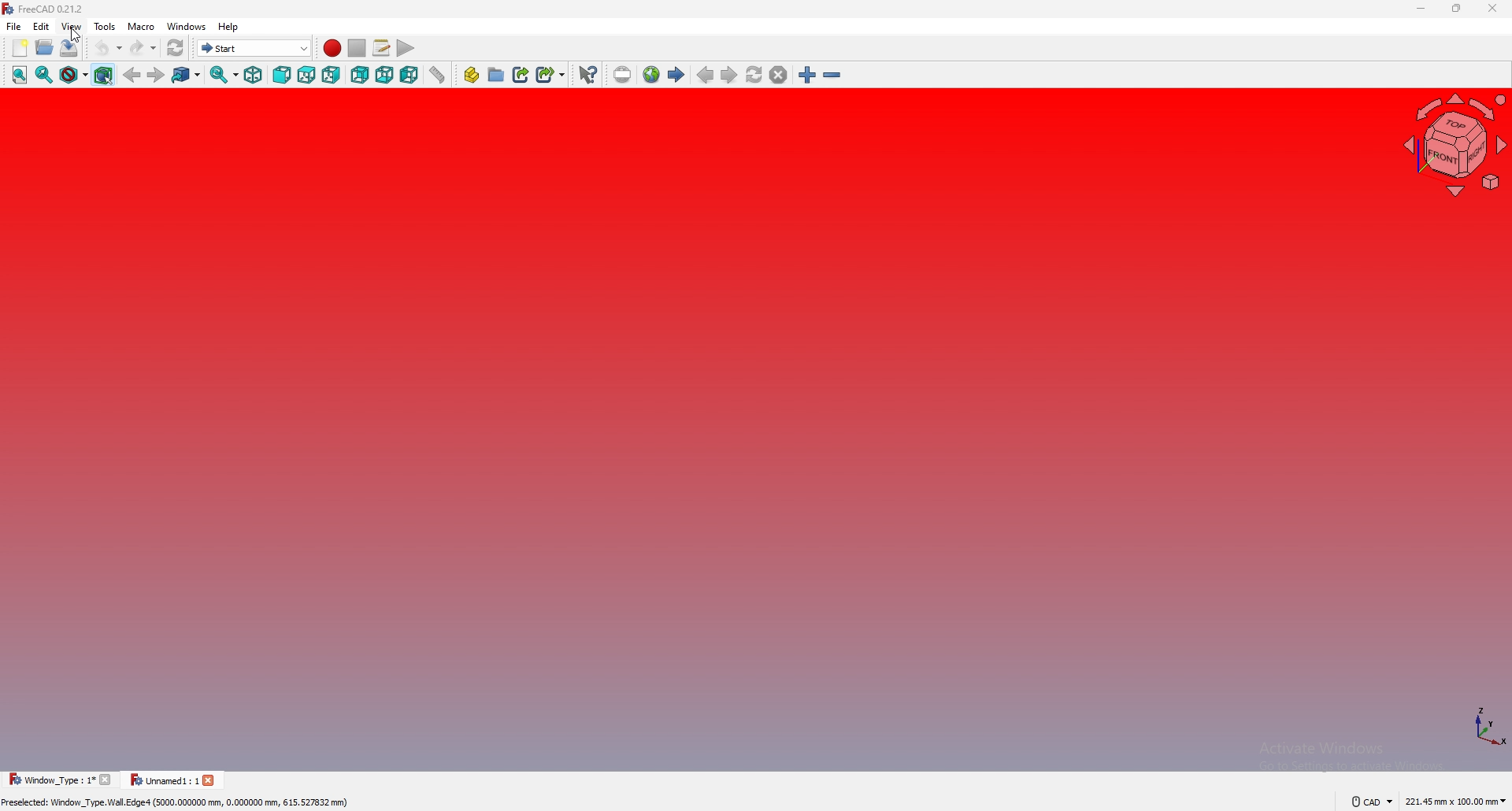 The width and height of the screenshot is (1512, 811). I want to click on Unnamed1: 1, so click(164, 780).